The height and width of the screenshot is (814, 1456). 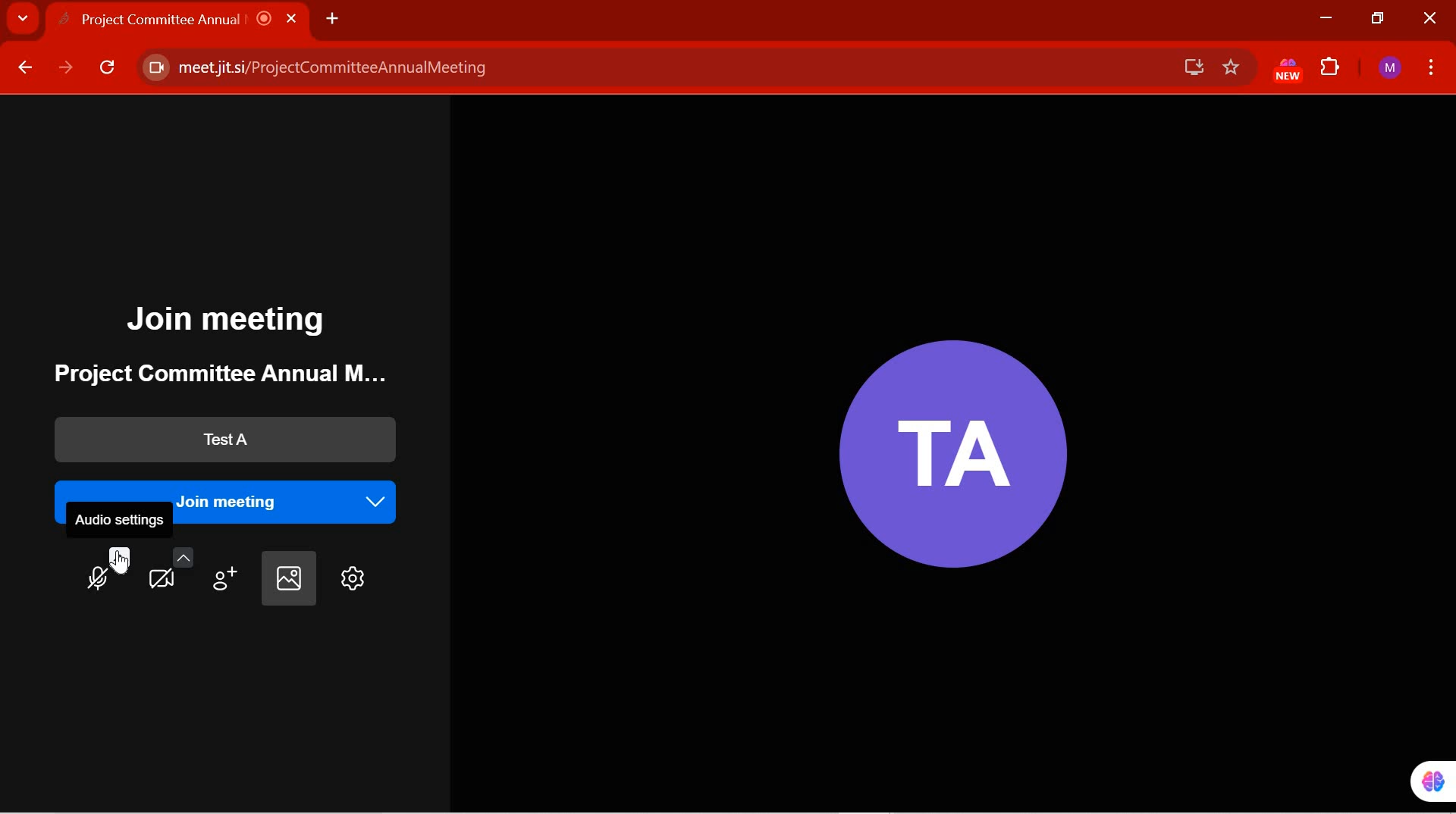 I want to click on MINIMIZE, so click(x=1325, y=18).